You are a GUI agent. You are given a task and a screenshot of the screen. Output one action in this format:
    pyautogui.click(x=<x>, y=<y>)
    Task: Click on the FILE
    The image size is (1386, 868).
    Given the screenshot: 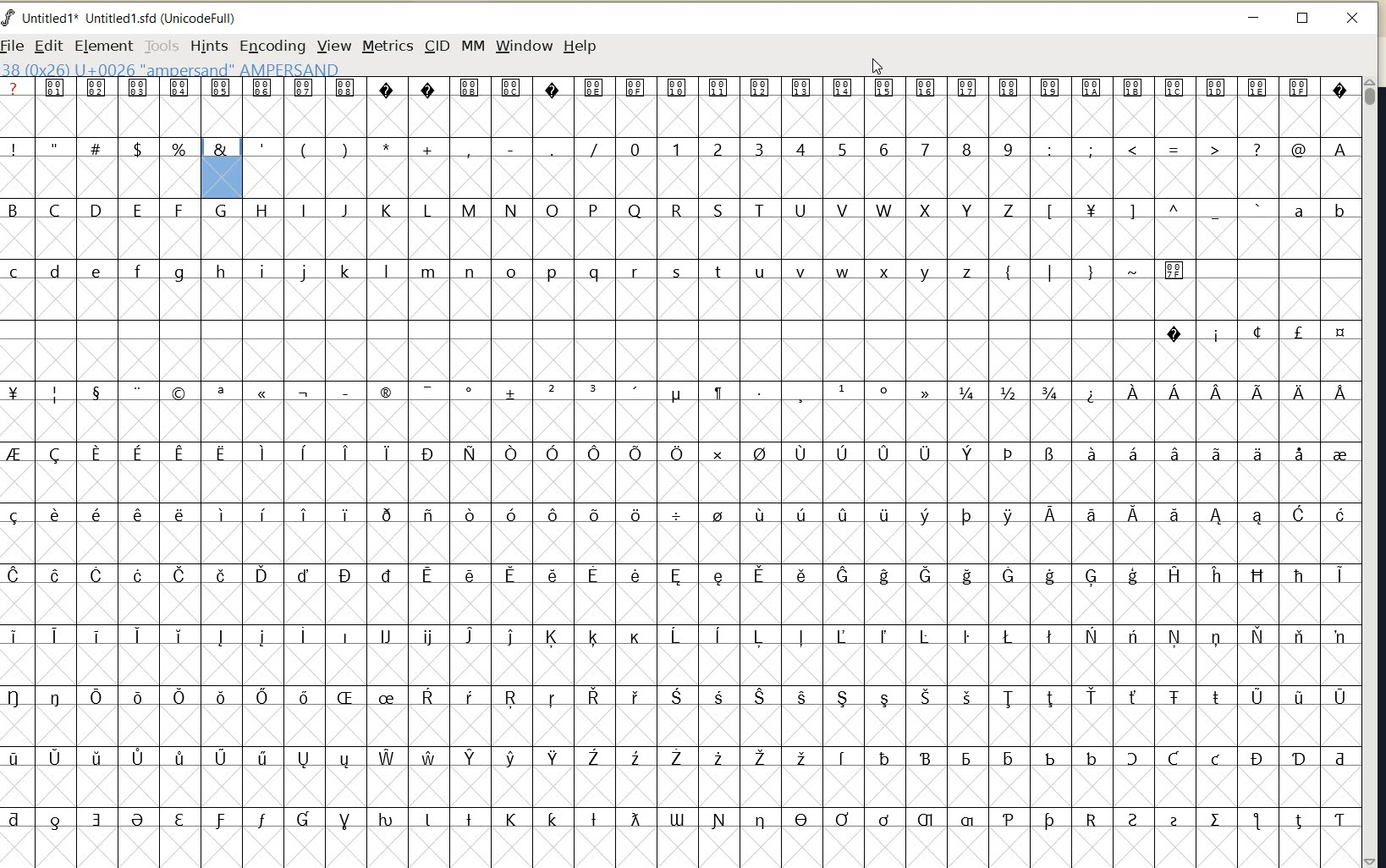 What is the action you would take?
    pyautogui.click(x=14, y=47)
    